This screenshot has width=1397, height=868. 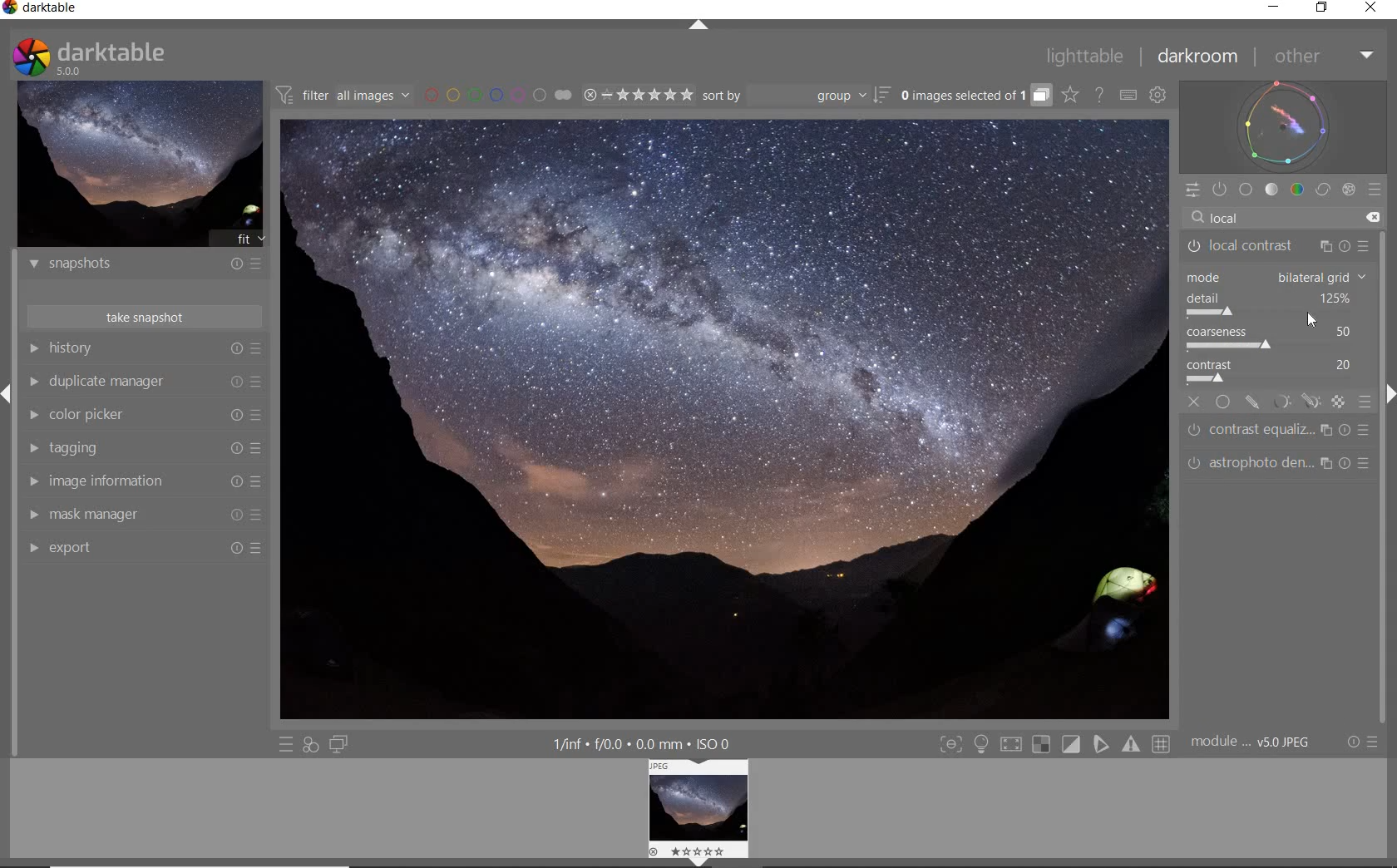 I want to click on Switched off, so click(x=1194, y=432).